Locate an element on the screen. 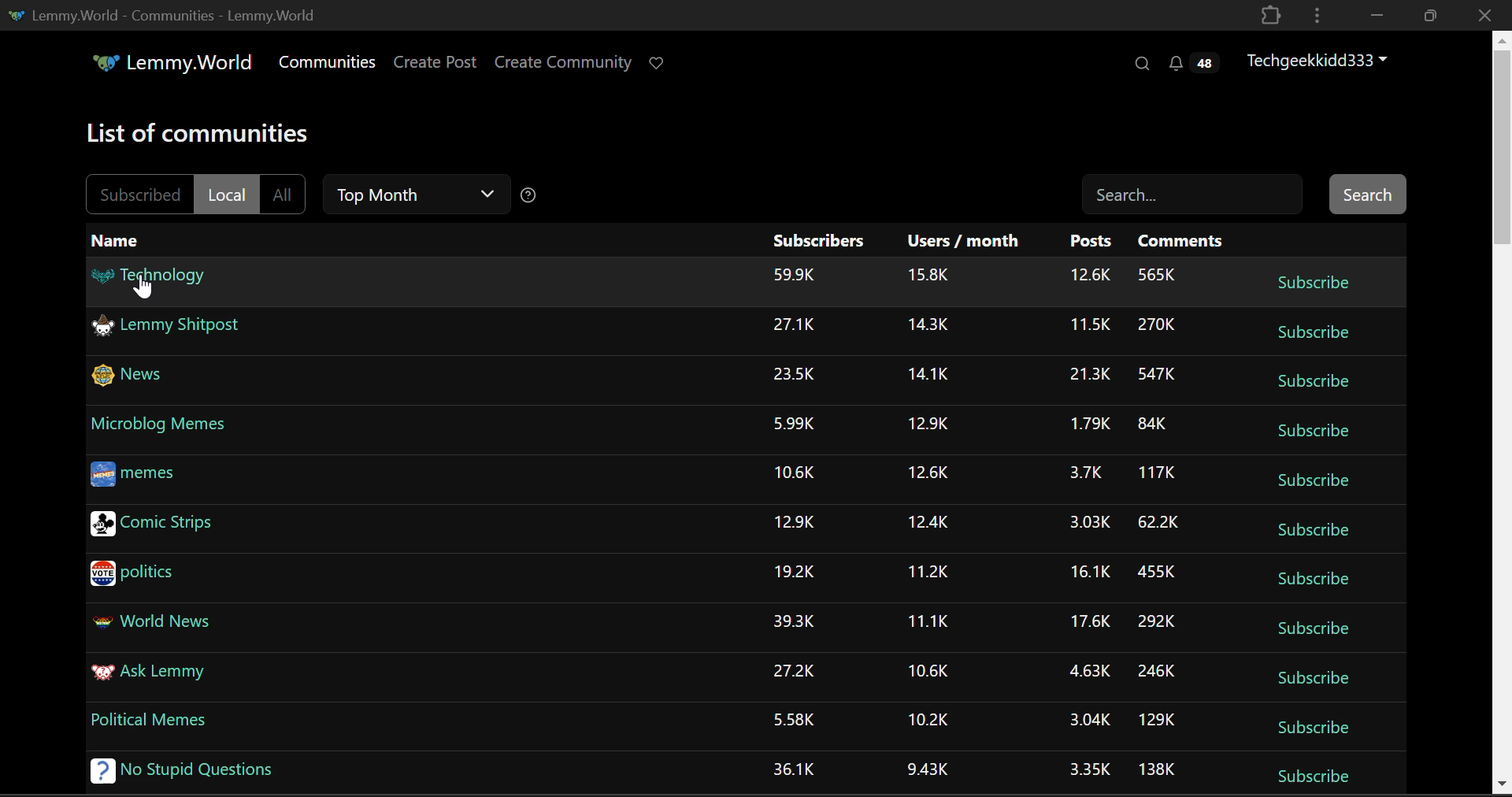 This screenshot has height=797, width=1512. Amount is located at coordinates (928, 624).